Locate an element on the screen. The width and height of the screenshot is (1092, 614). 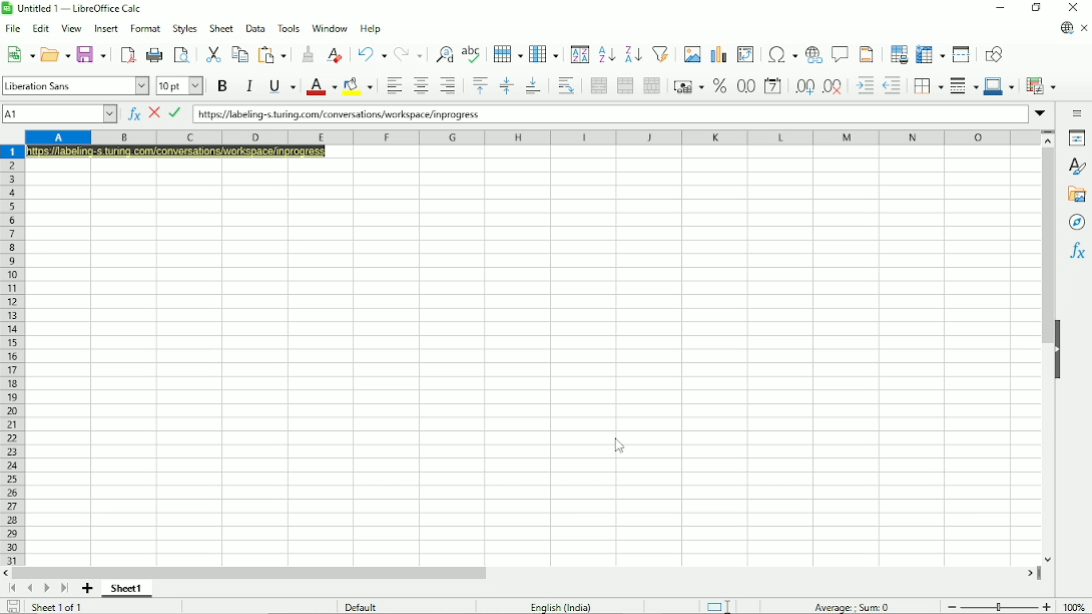
Functions is located at coordinates (1077, 254).